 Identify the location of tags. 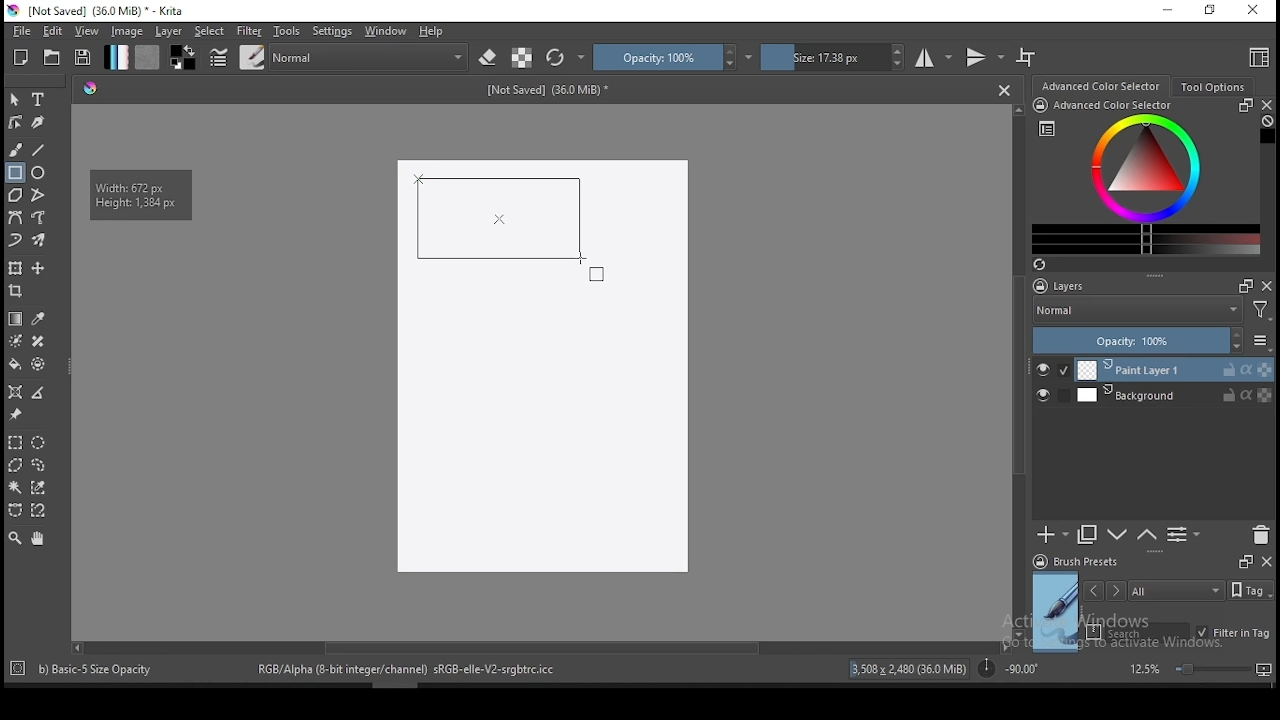
(1176, 590).